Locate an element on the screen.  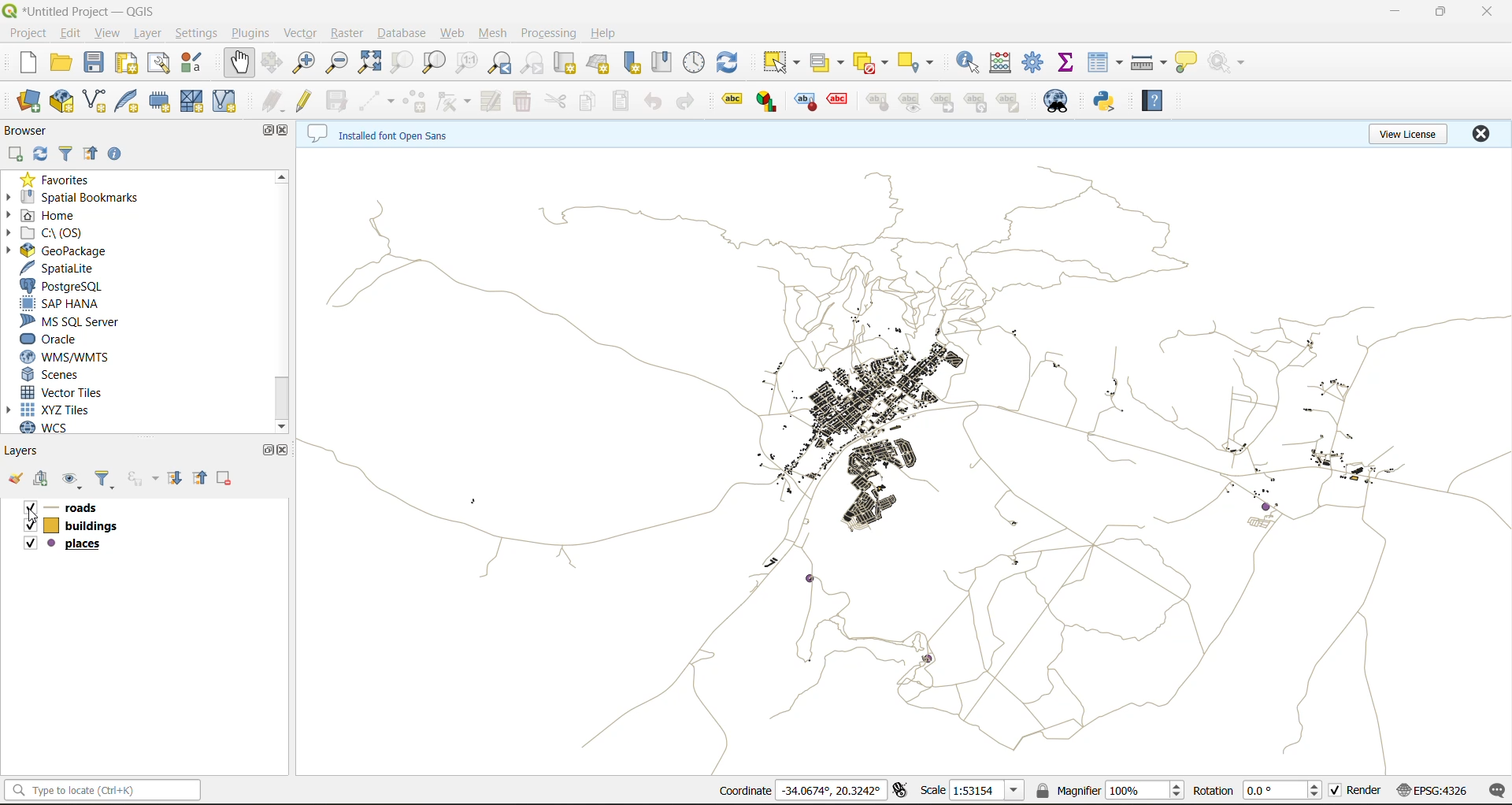
python is located at coordinates (1110, 102).